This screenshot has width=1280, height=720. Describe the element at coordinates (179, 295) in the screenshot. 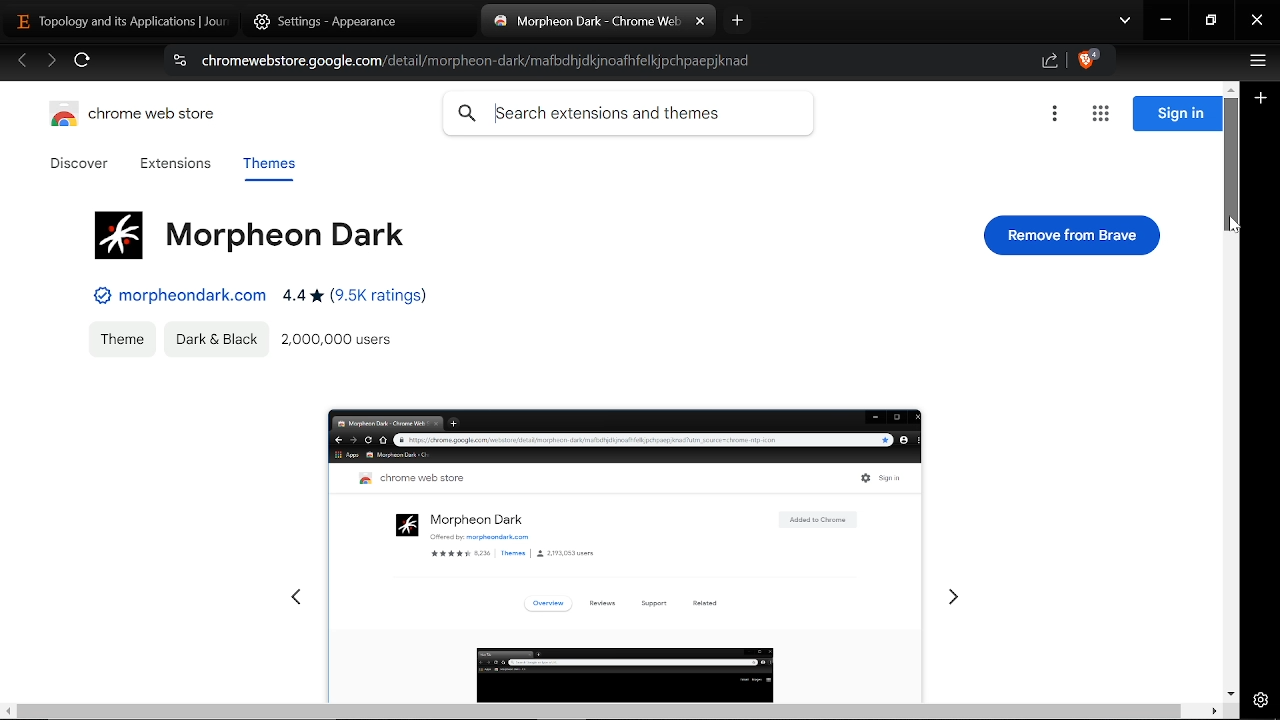

I see `Cite name` at that location.